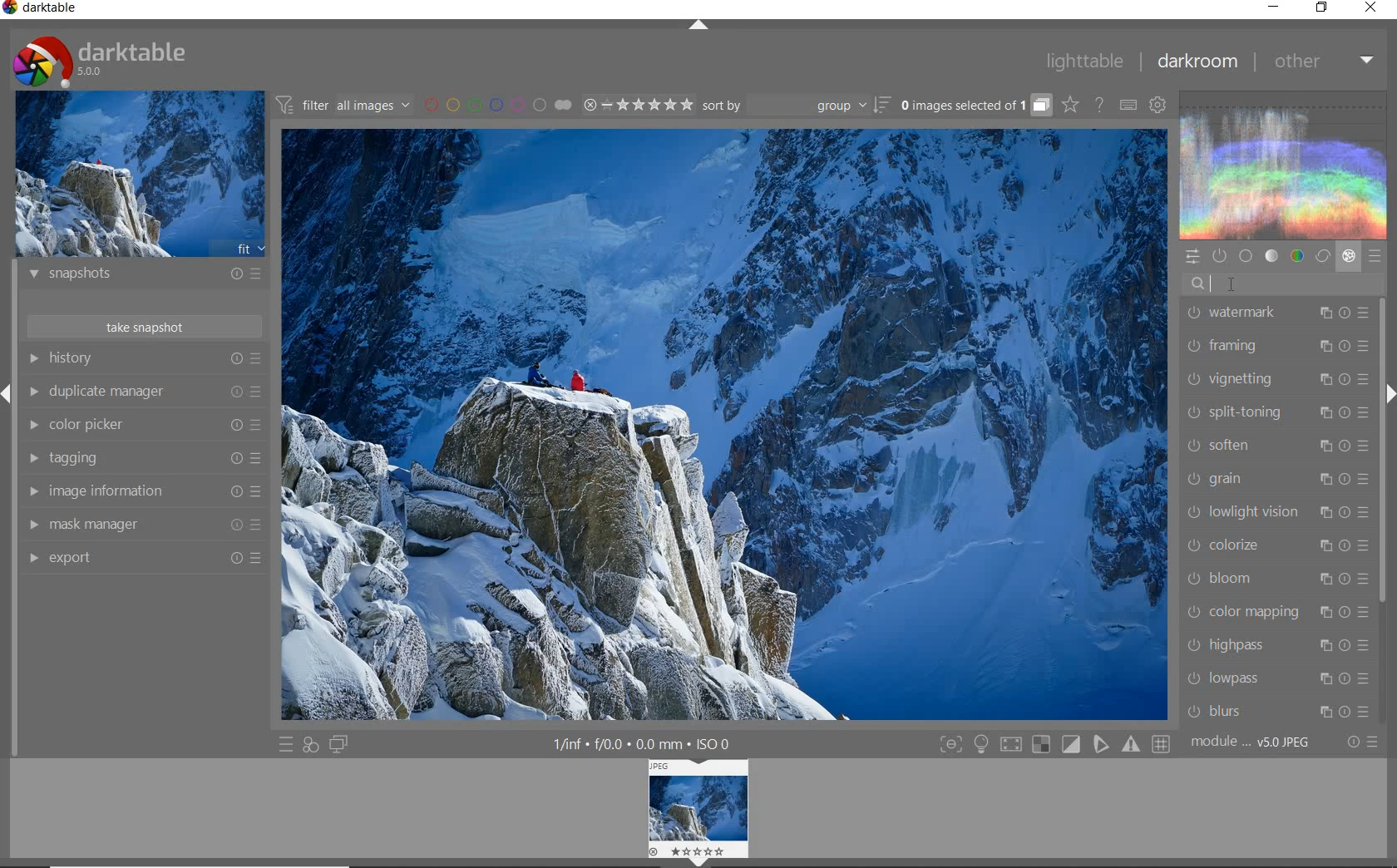 Image resolution: width=1397 pixels, height=868 pixels. Describe the element at coordinates (1276, 382) in the screenshot. I see `vignetting` at that location.